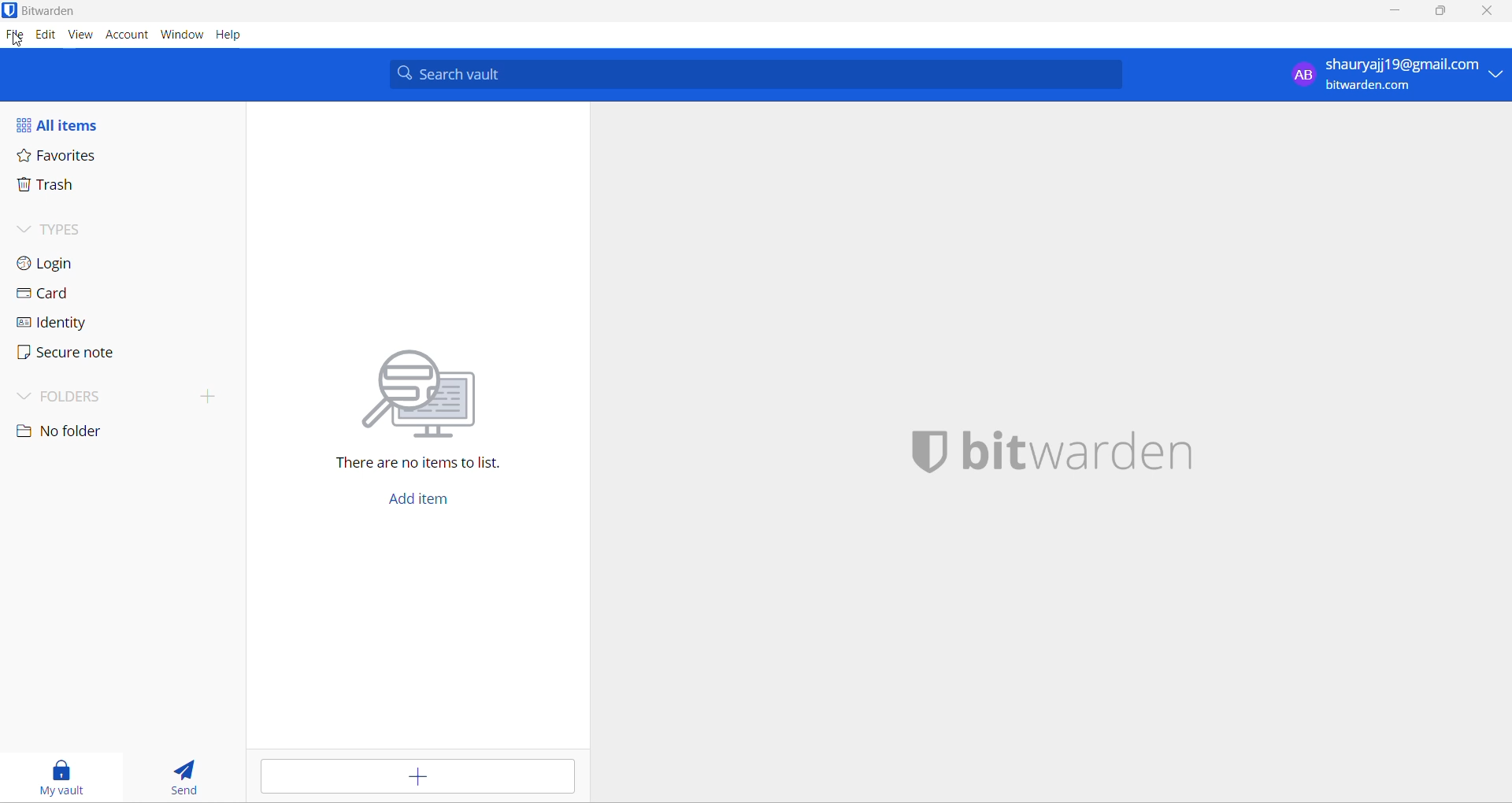 This screenshot has height=803, width=1512. What do you see at coordinates (17, 37) in the screenshot?
I see `file ` at bounding box center [17, 37].